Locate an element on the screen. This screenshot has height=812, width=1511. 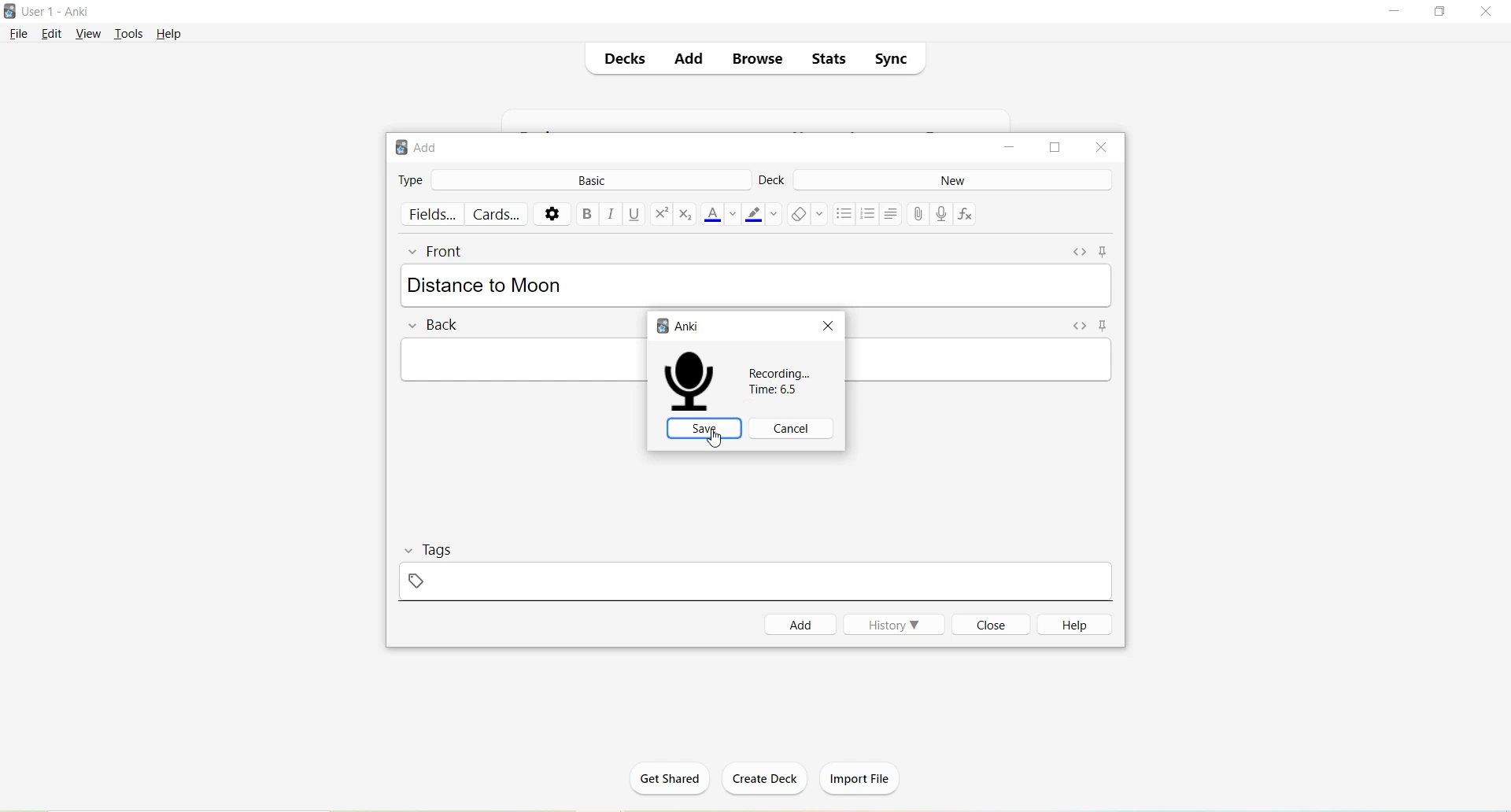
Get Shared is located at coordinates (670, 784).